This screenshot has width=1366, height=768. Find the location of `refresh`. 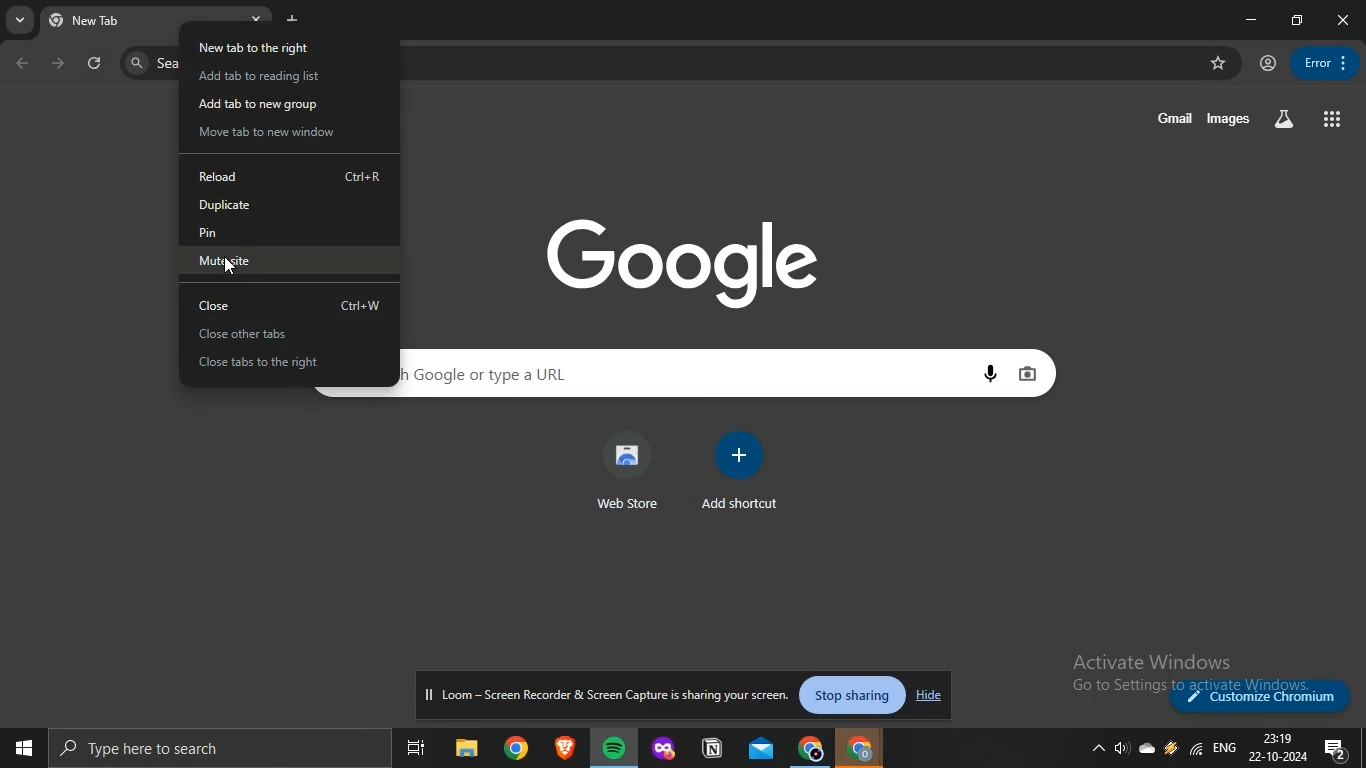

refresh is located at coordinates (96, 64).